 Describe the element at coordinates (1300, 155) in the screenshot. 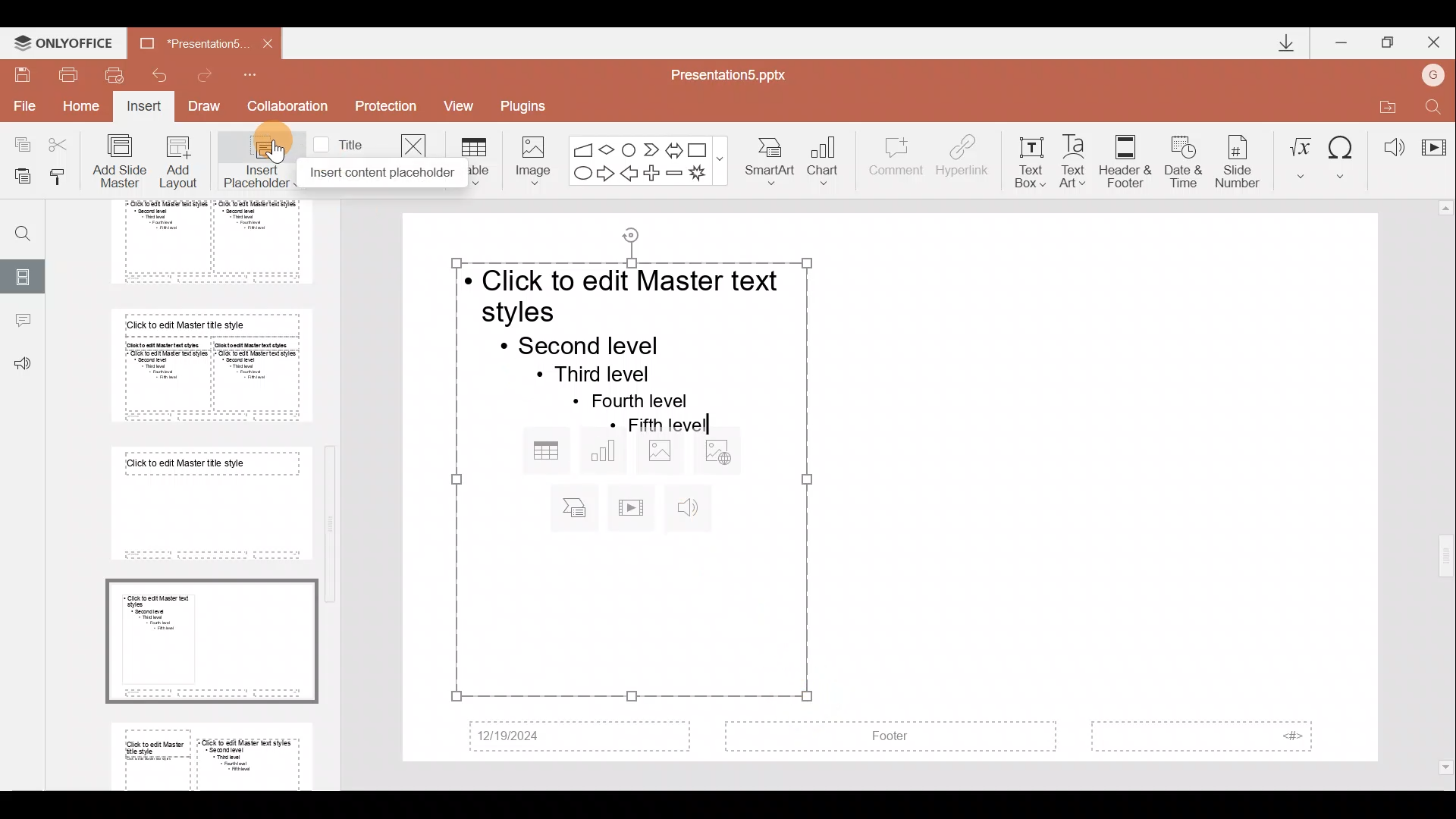

I see `Equation` at that location.